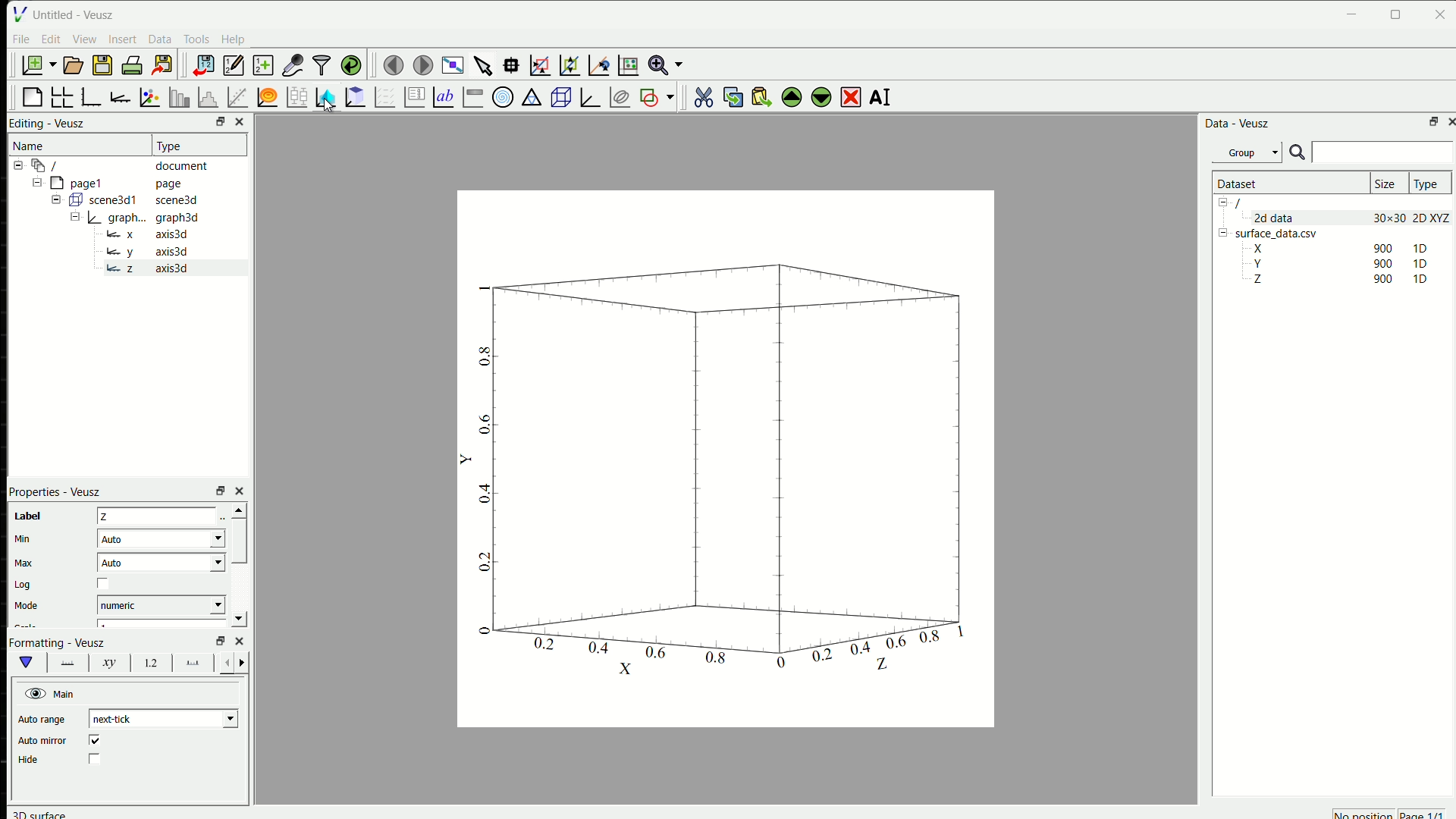  What do you see at coordinates (150, 718) in the screenshot?
I see `next-tick` at bounding box center [150, 718].